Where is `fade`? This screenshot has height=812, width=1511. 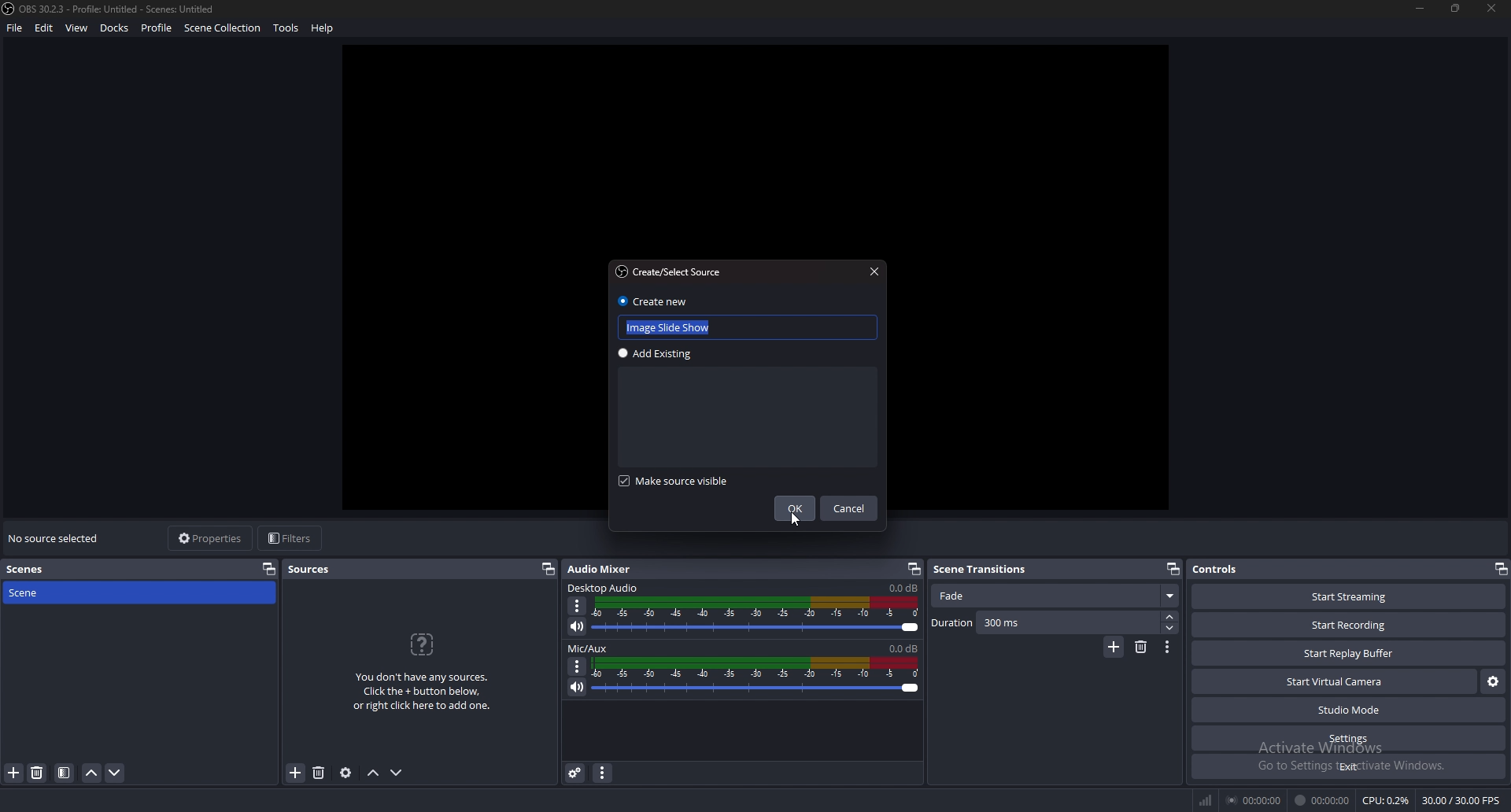 fade is located at coordinates (1057, 597).